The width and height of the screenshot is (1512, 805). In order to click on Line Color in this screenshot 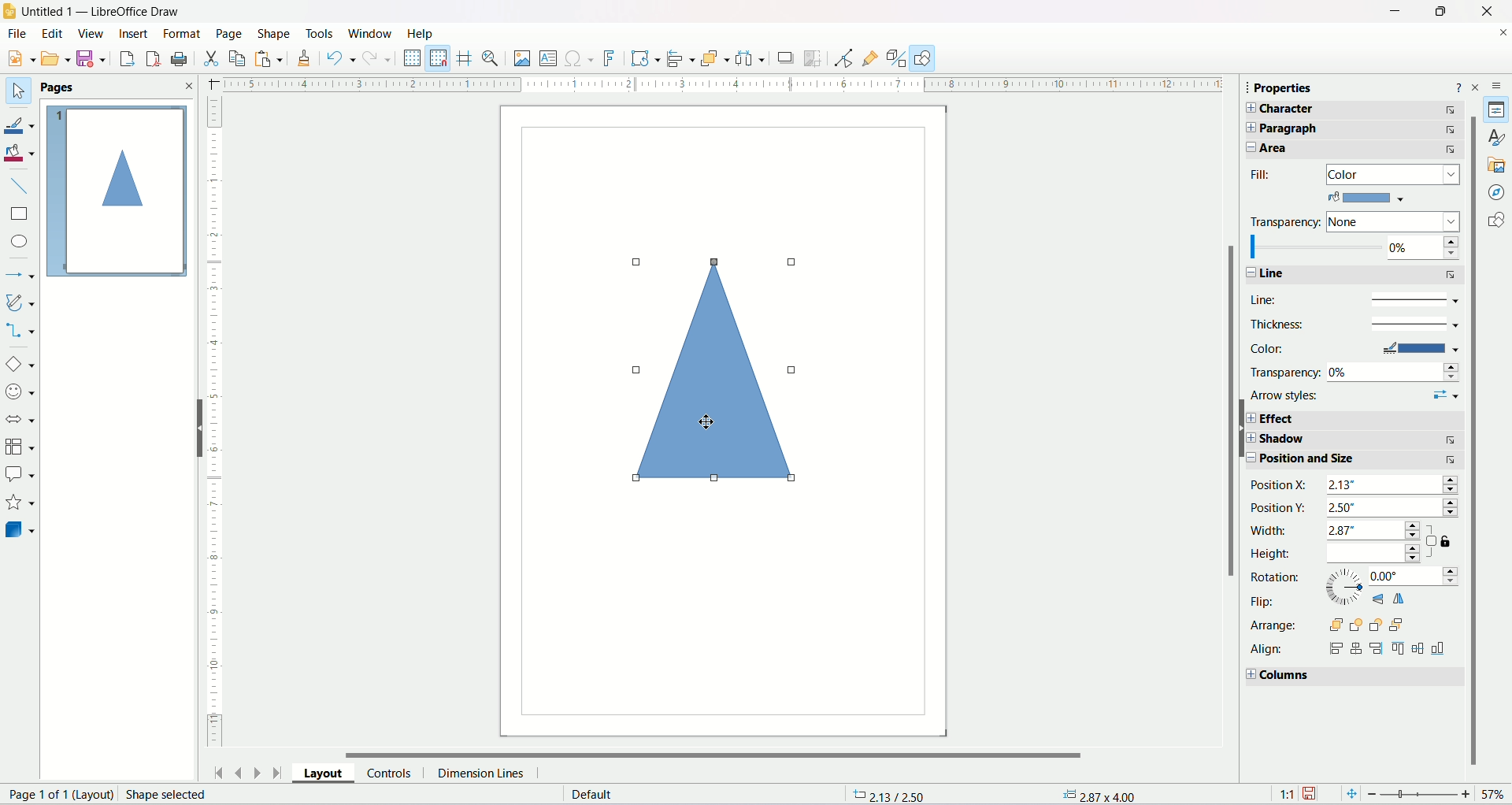, I will do `click(20, 124)`.